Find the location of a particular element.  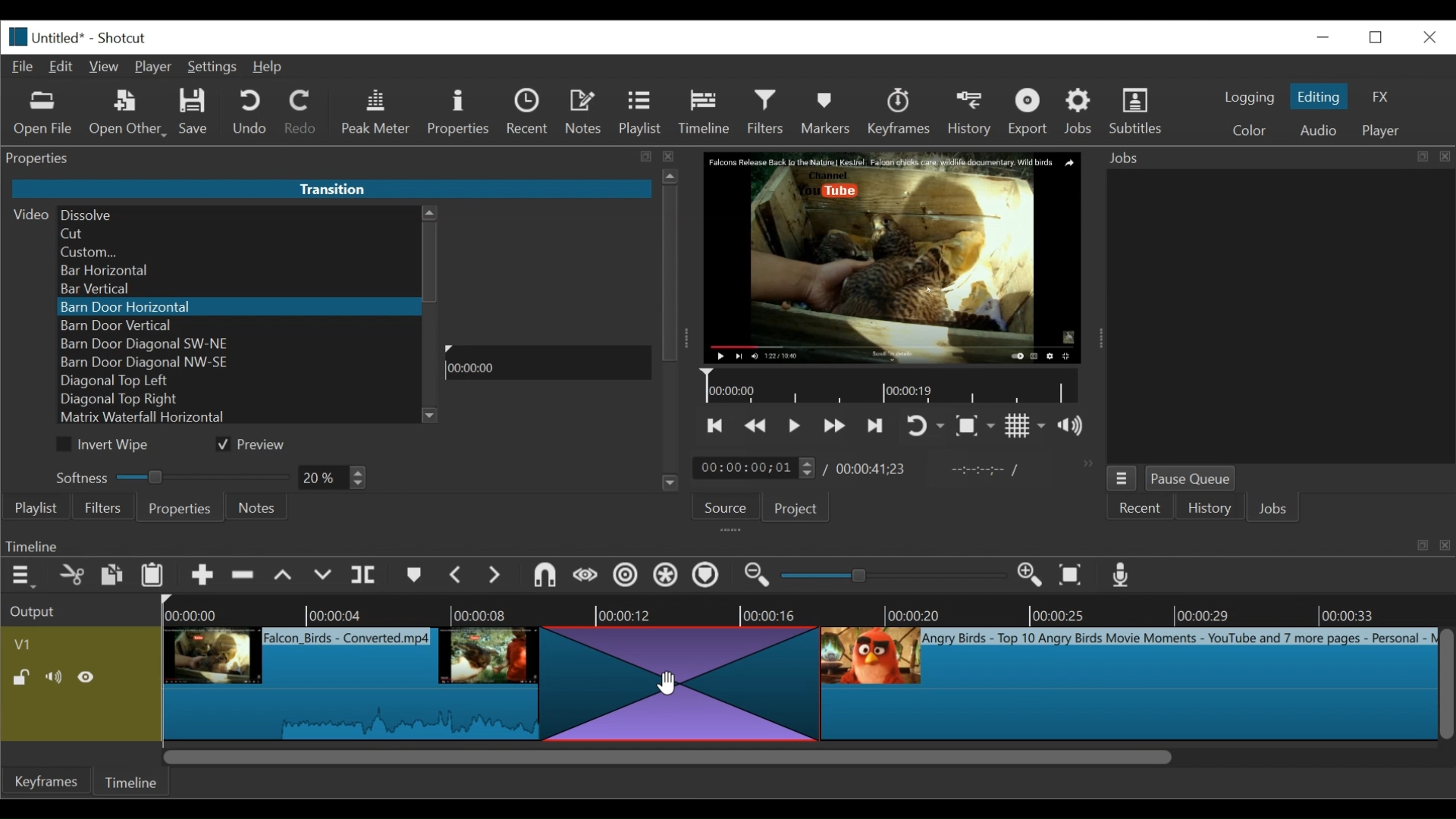

Paste is located at coordinates (154, 576).